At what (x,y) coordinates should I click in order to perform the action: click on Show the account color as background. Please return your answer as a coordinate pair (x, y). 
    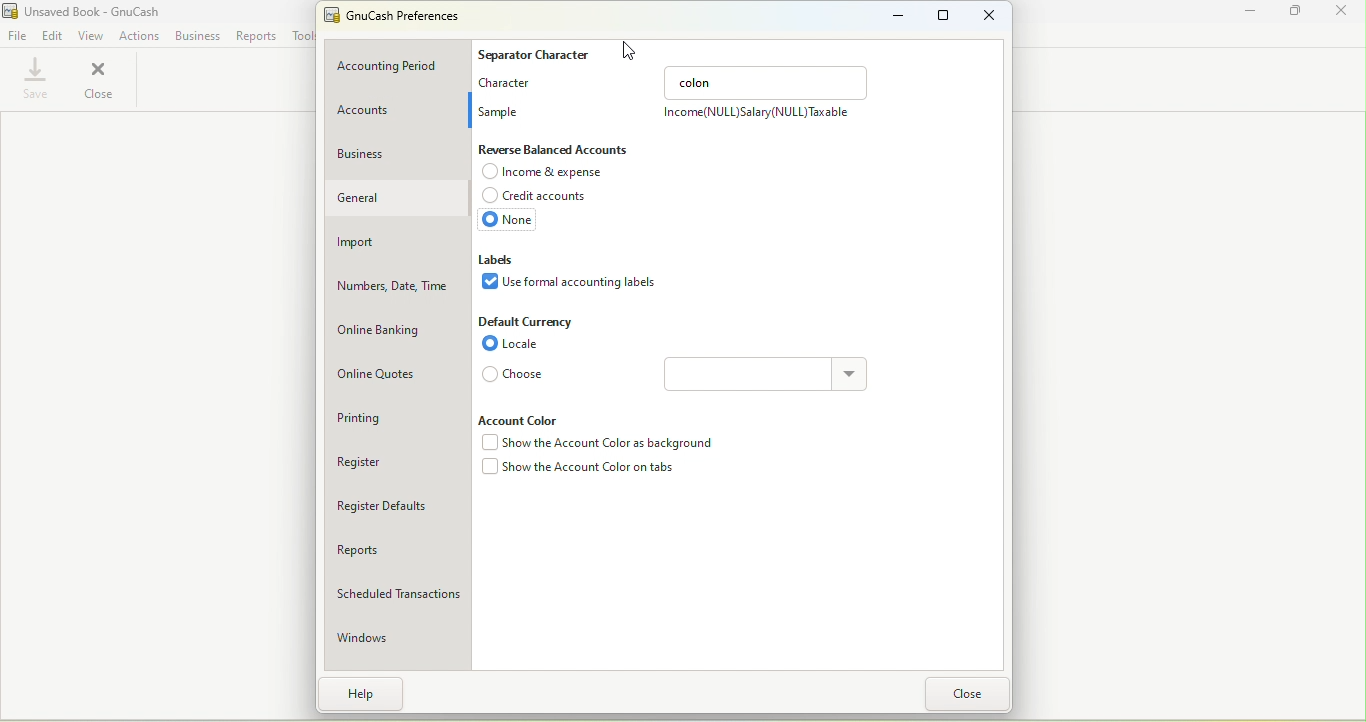
    Looking at the image, I should click on (605, 442).